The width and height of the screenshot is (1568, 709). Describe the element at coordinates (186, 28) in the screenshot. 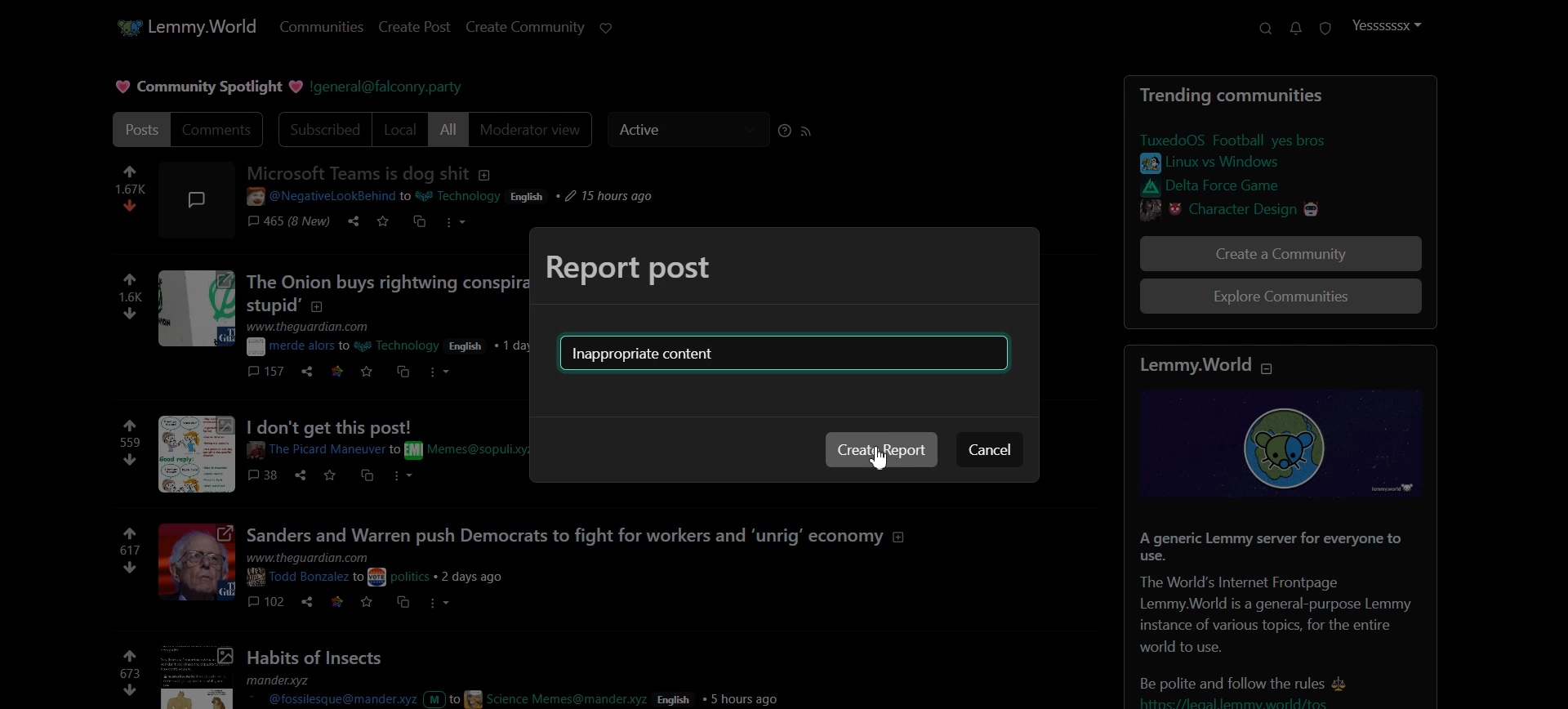

I see `Home Page` at that location.